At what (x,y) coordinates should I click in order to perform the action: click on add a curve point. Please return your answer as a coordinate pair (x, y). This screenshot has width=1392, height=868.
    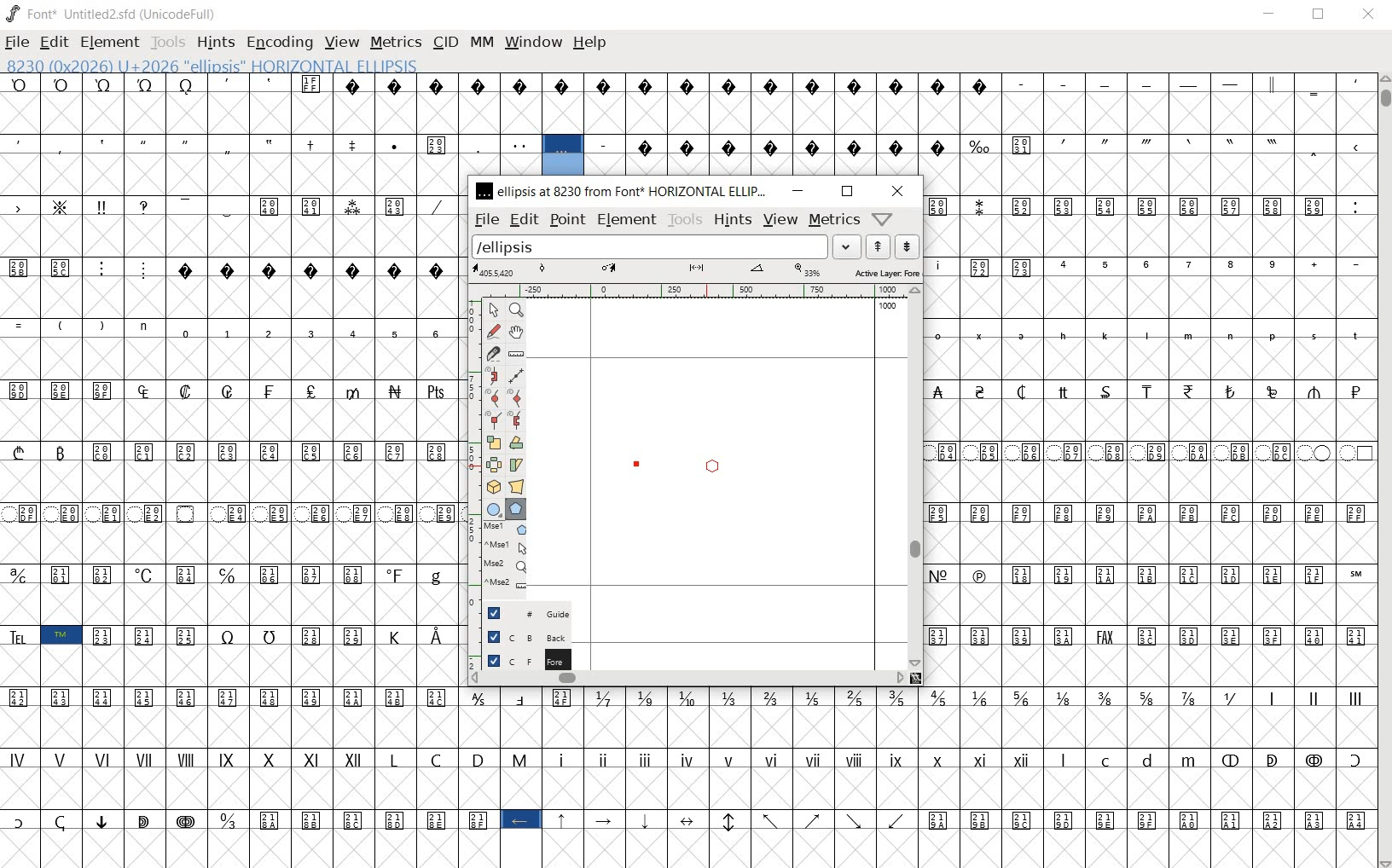
    Looking at the image, I should click on (493, 396).